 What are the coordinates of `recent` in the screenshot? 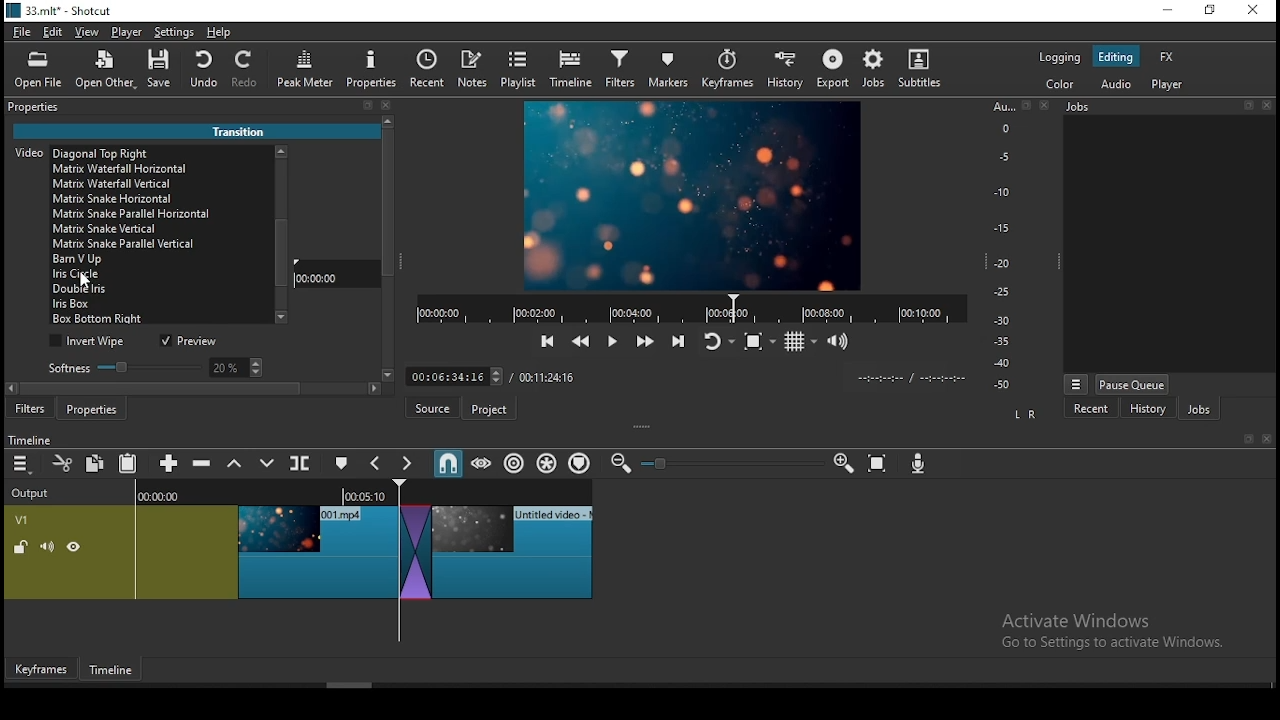 It's located at (1091, 408).